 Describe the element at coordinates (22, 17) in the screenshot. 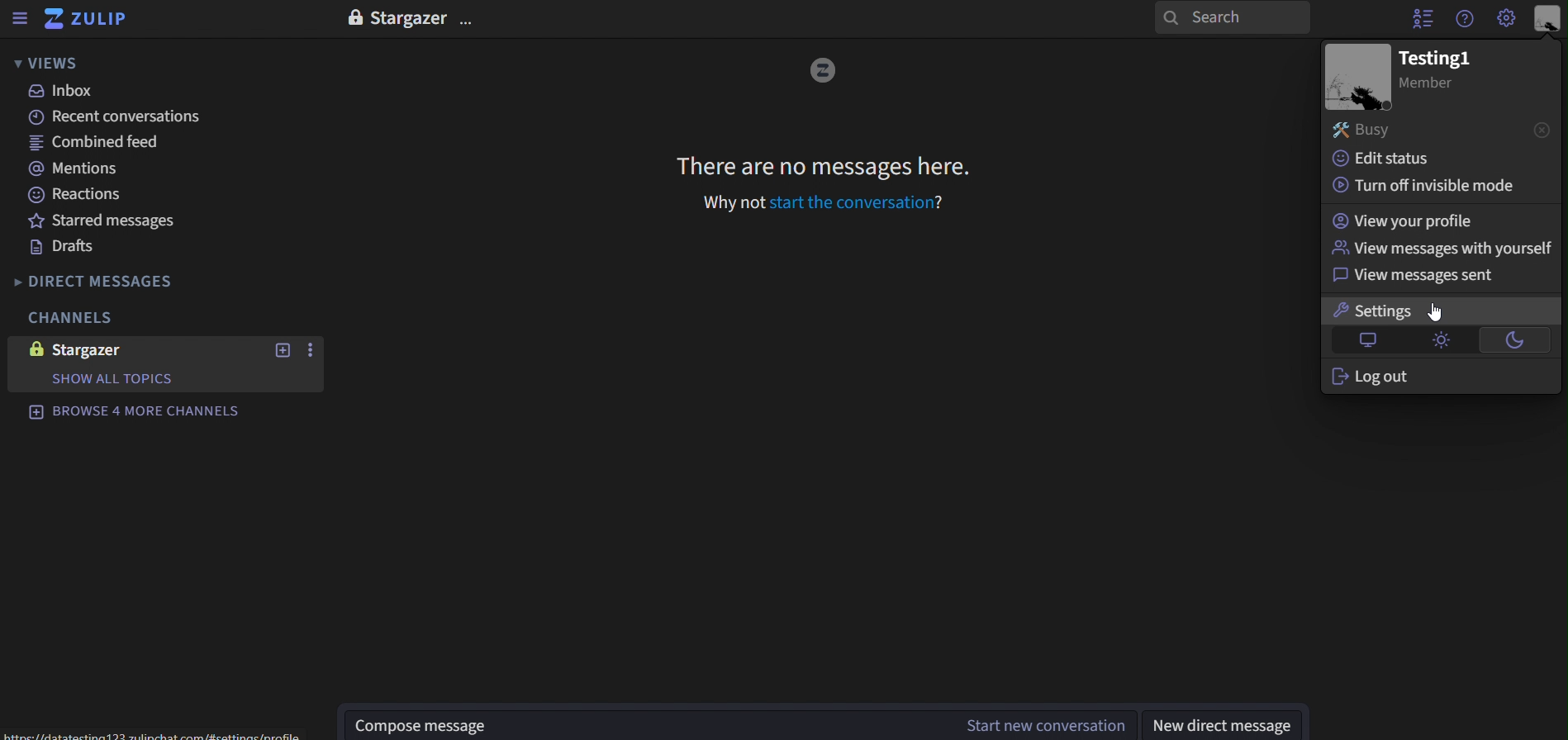

I see `sidebar` at that location.